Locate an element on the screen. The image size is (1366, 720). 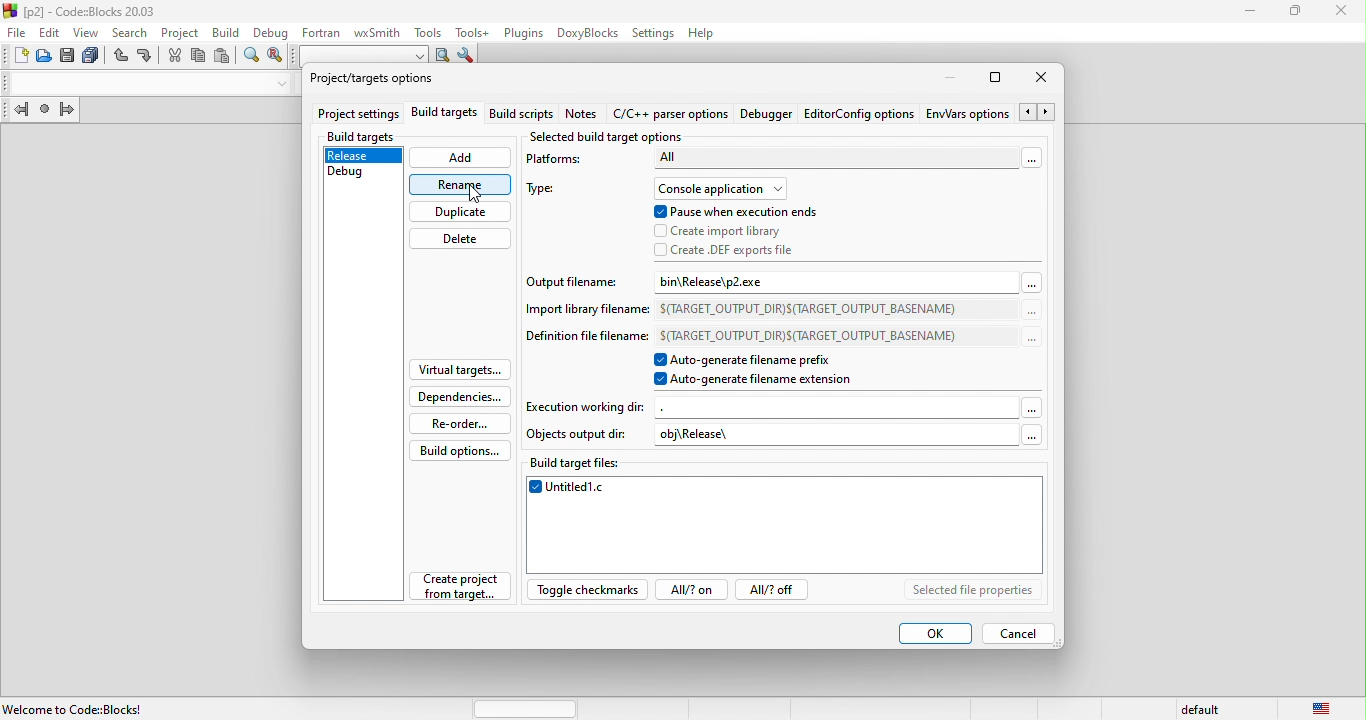
type is located at coordinates (549, 191).